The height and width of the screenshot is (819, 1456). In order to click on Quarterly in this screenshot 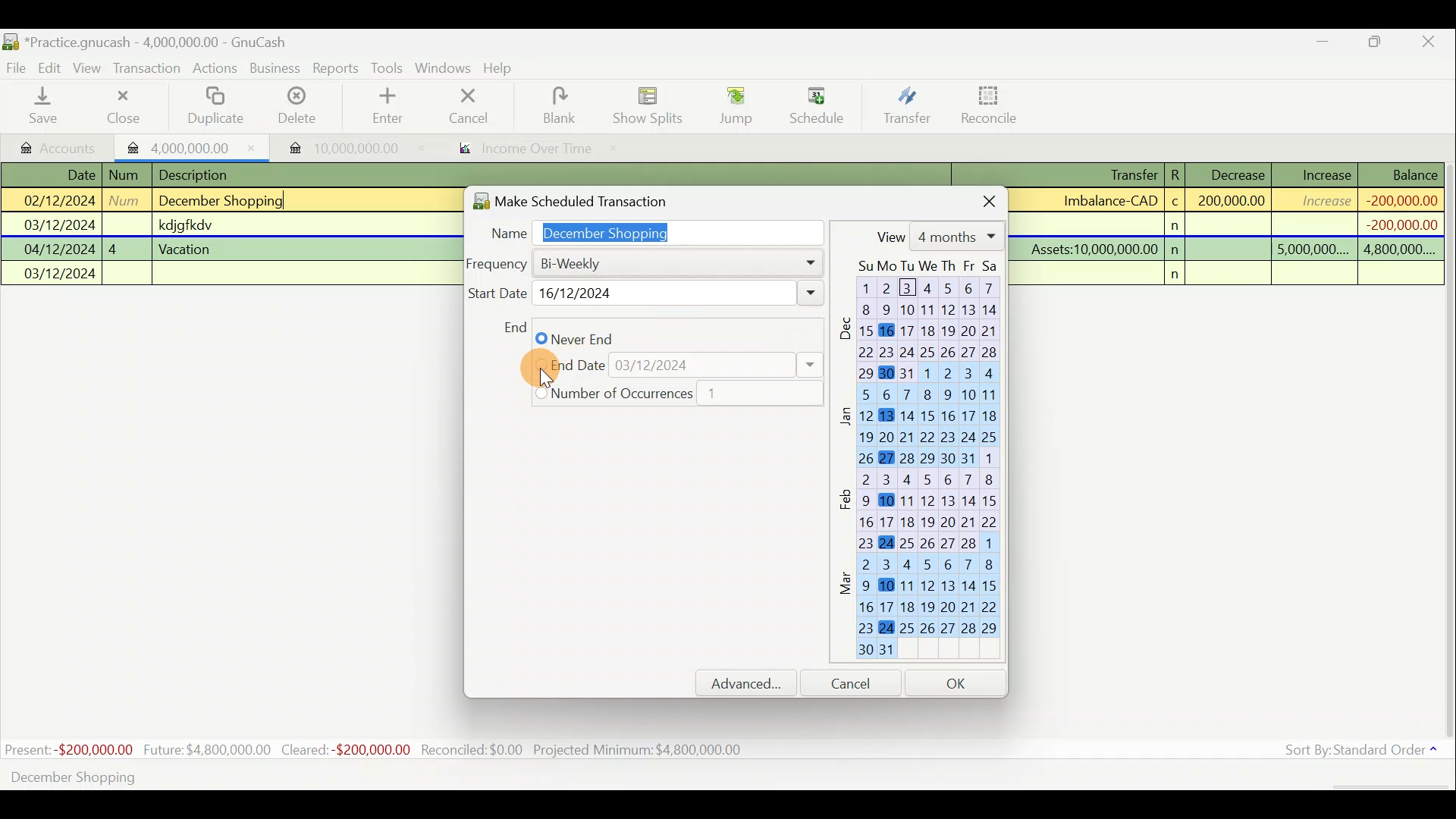, I will do `click(626, 366)`.